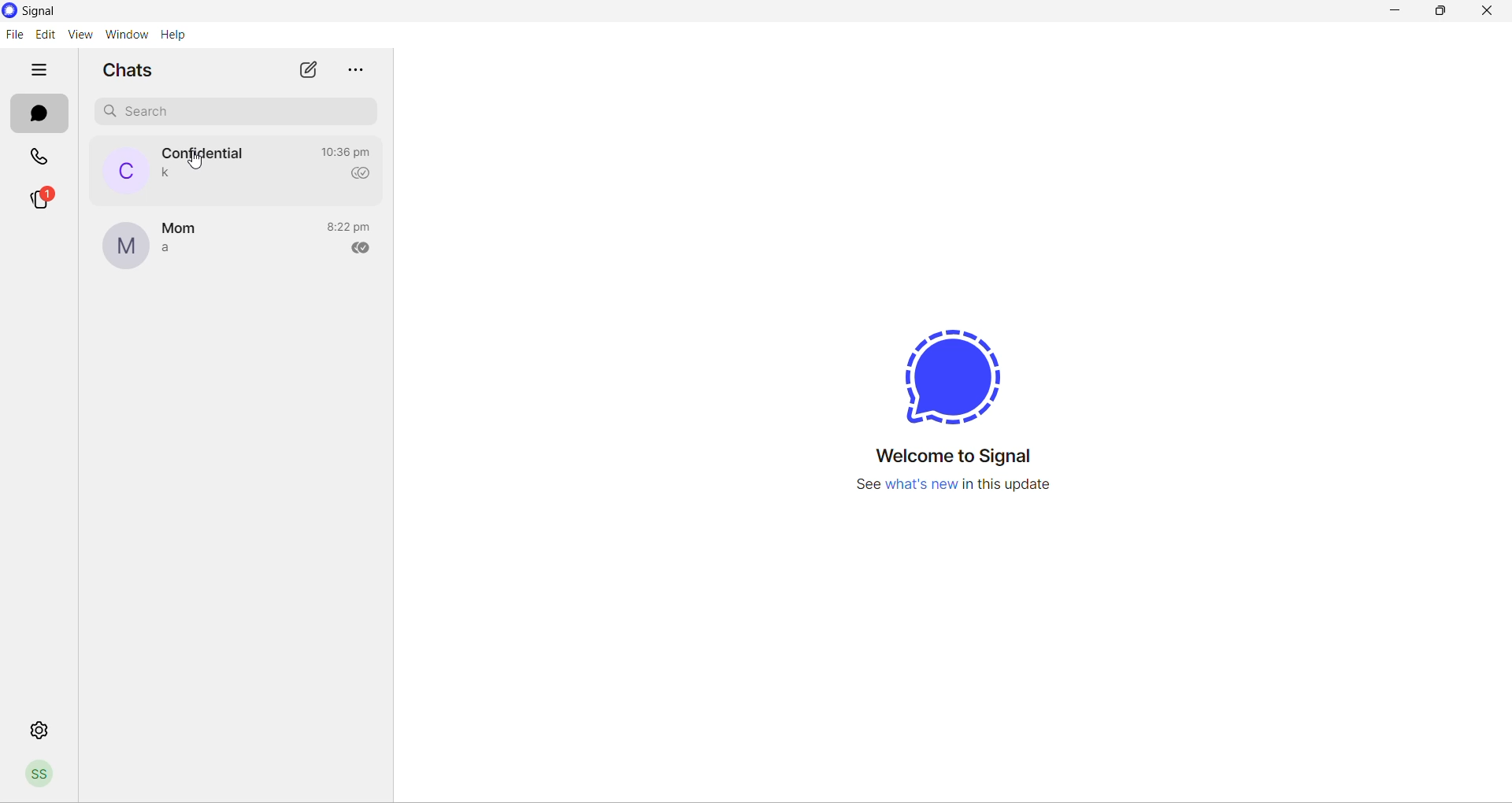  Describe the element at coordinates (349, 152) in the screenshot. I see `last message time` at that location.